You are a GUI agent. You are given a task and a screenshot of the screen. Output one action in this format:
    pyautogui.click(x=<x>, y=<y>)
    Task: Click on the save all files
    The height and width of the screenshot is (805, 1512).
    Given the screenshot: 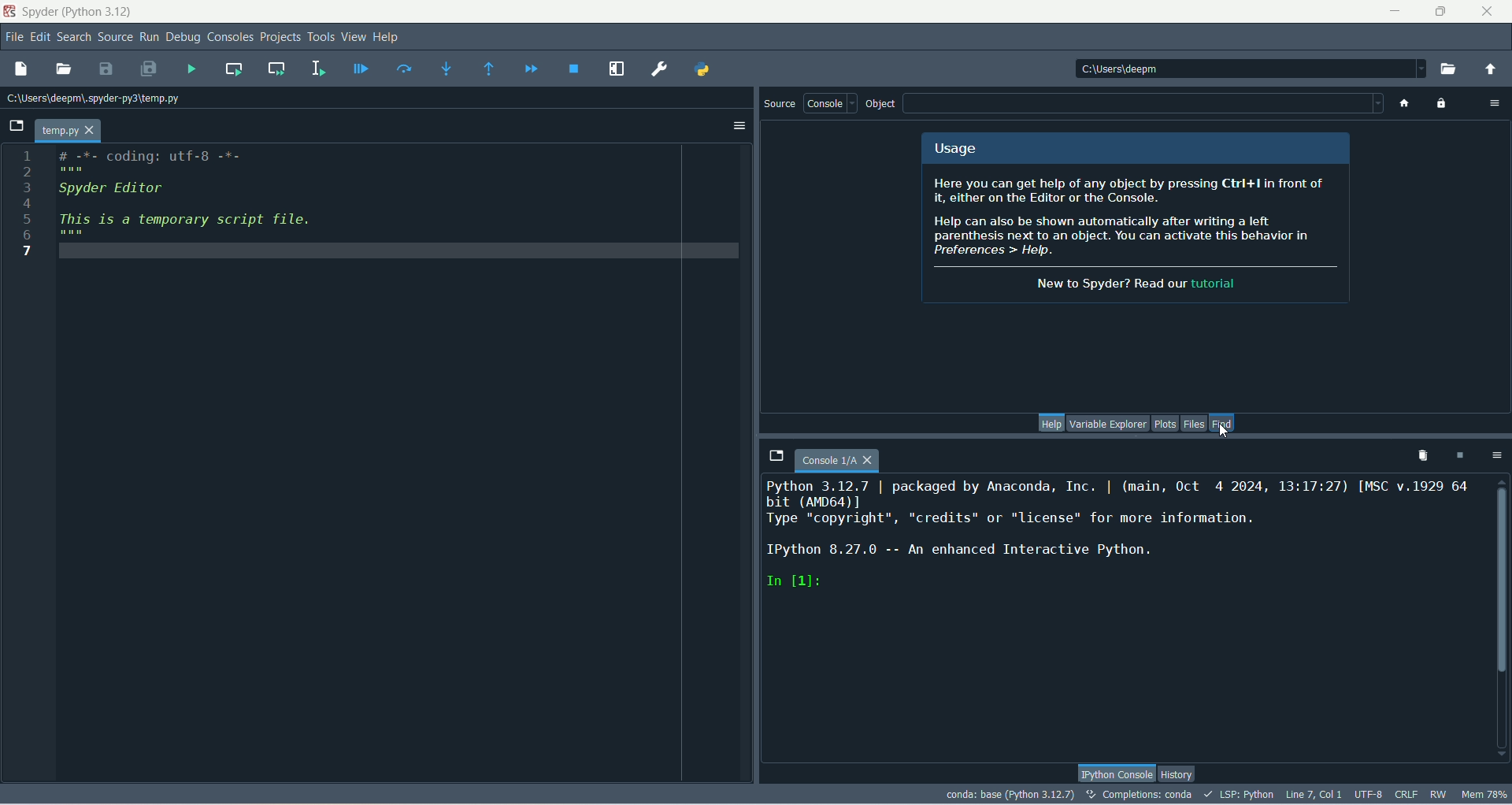 What is the action you would take?
    pyautogui.click(x=150, y=69)
    